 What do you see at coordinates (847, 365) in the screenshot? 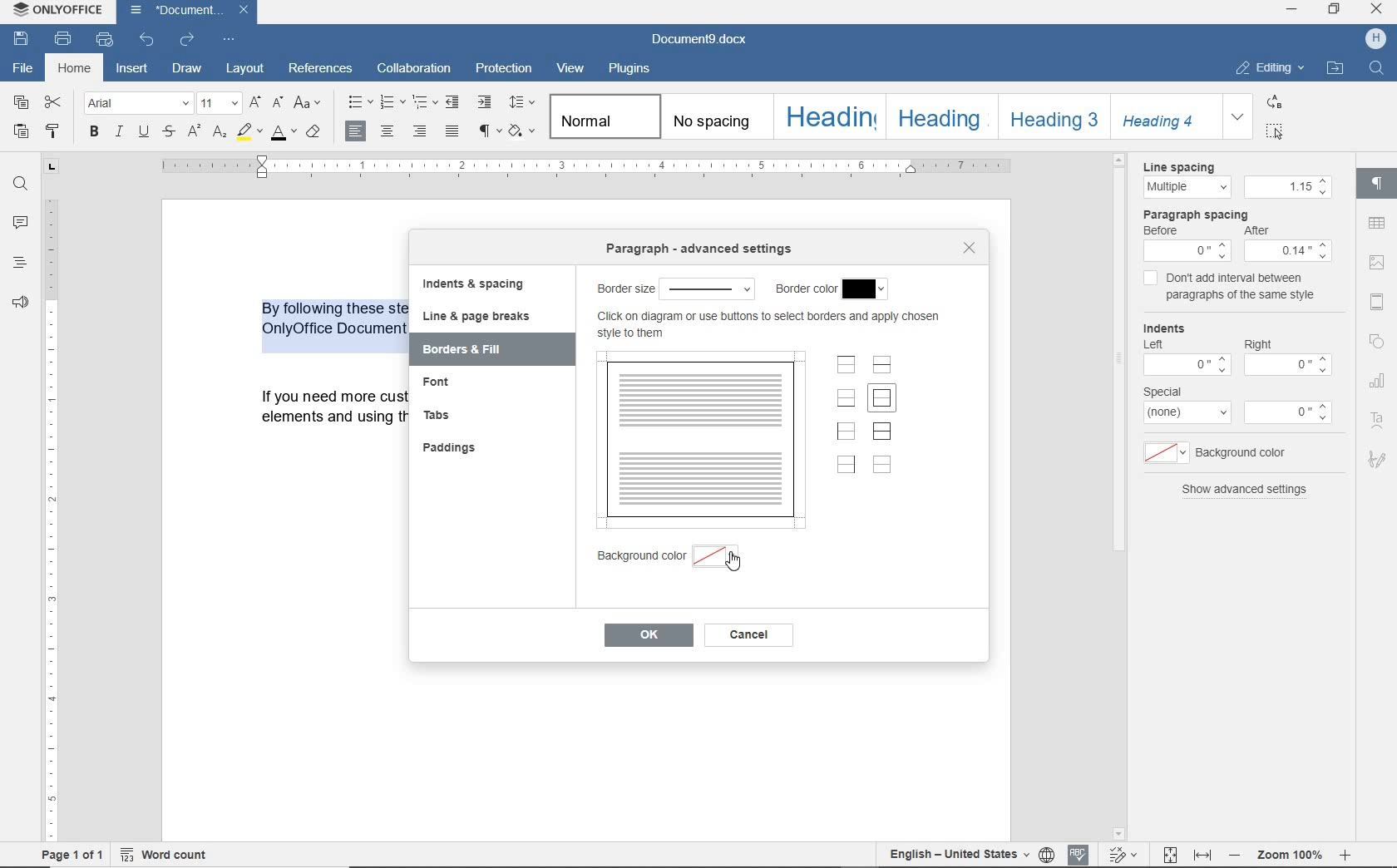
I see `set top border only` at bounding box center [847, 365].